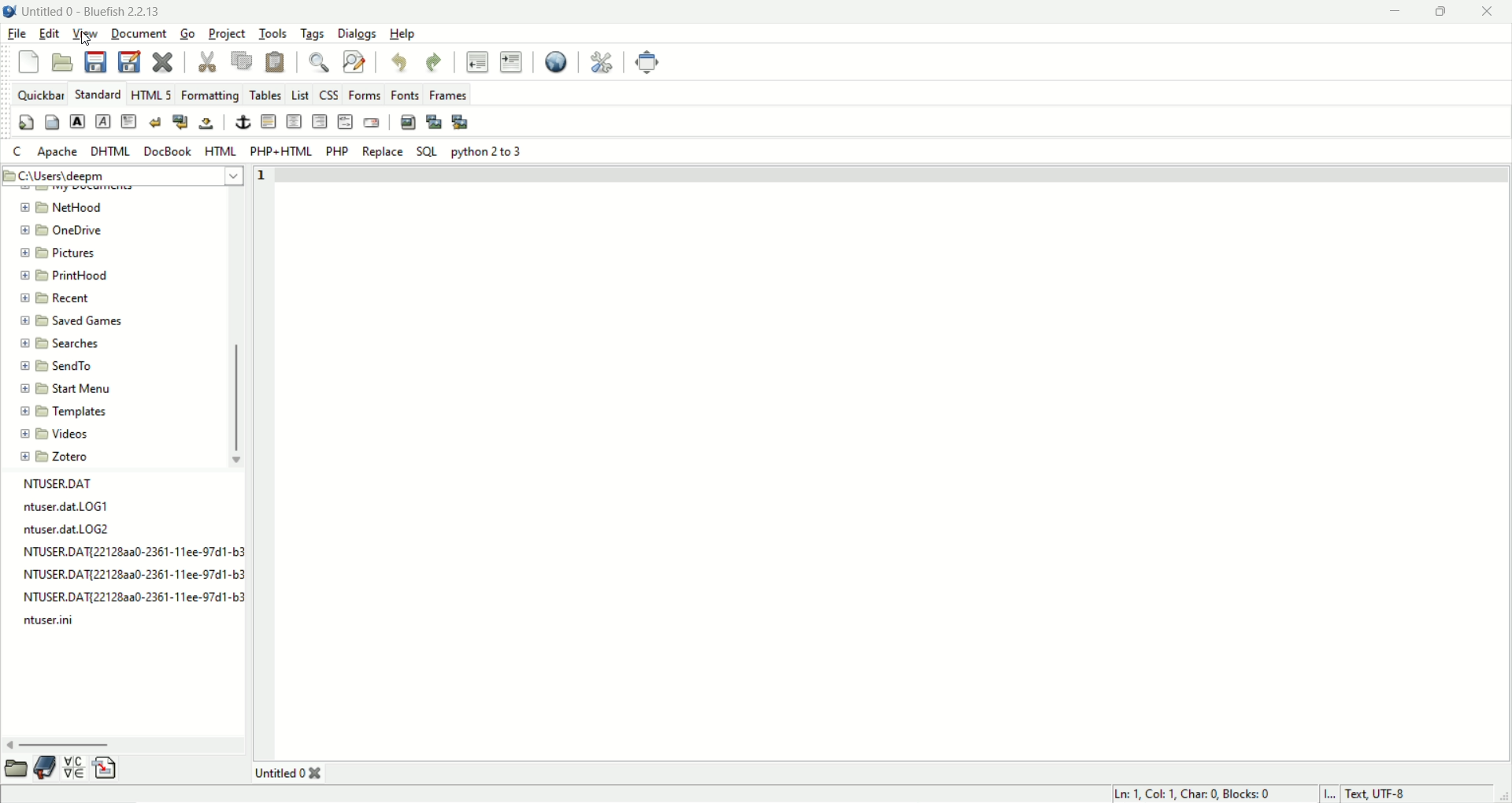  What do you see at coordinates (87, 32) in the screenshot?
I see `view` at bounding box center [87, 32].